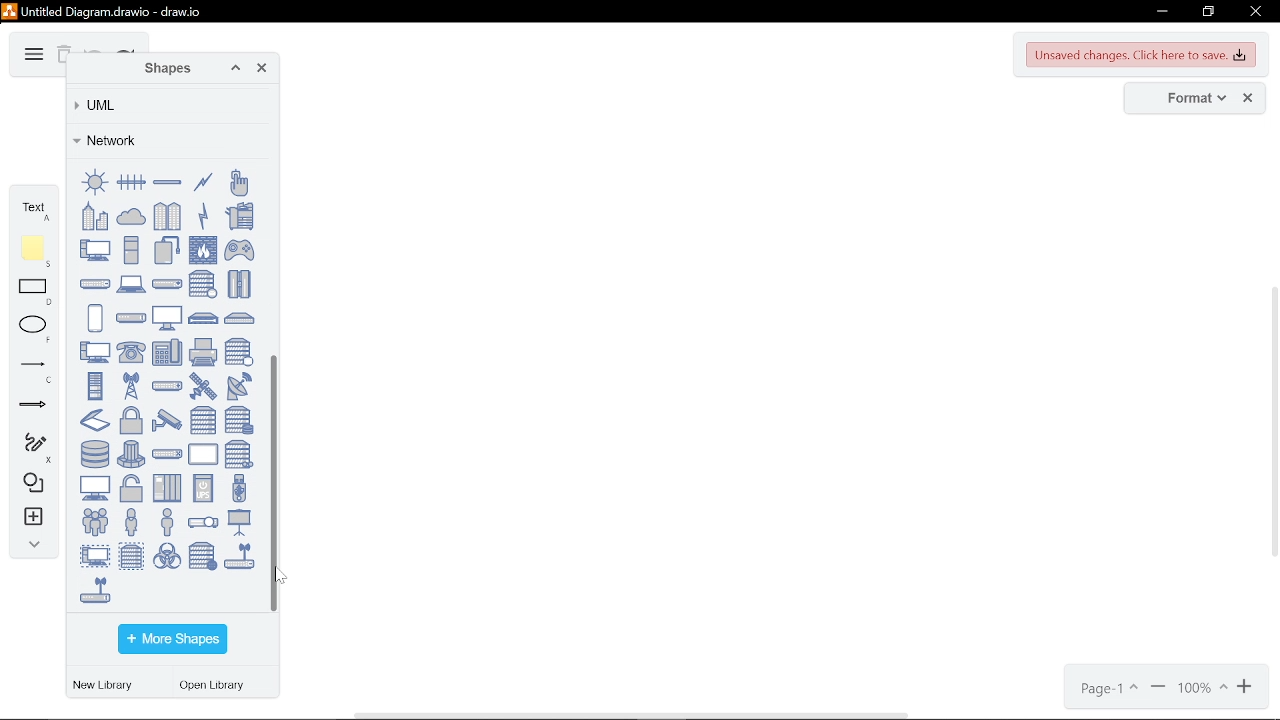 This screenshot has height=720, width=1280. Describe the element at coordinates (240, 250) in the screenshot. I see `gamepad` at that location.